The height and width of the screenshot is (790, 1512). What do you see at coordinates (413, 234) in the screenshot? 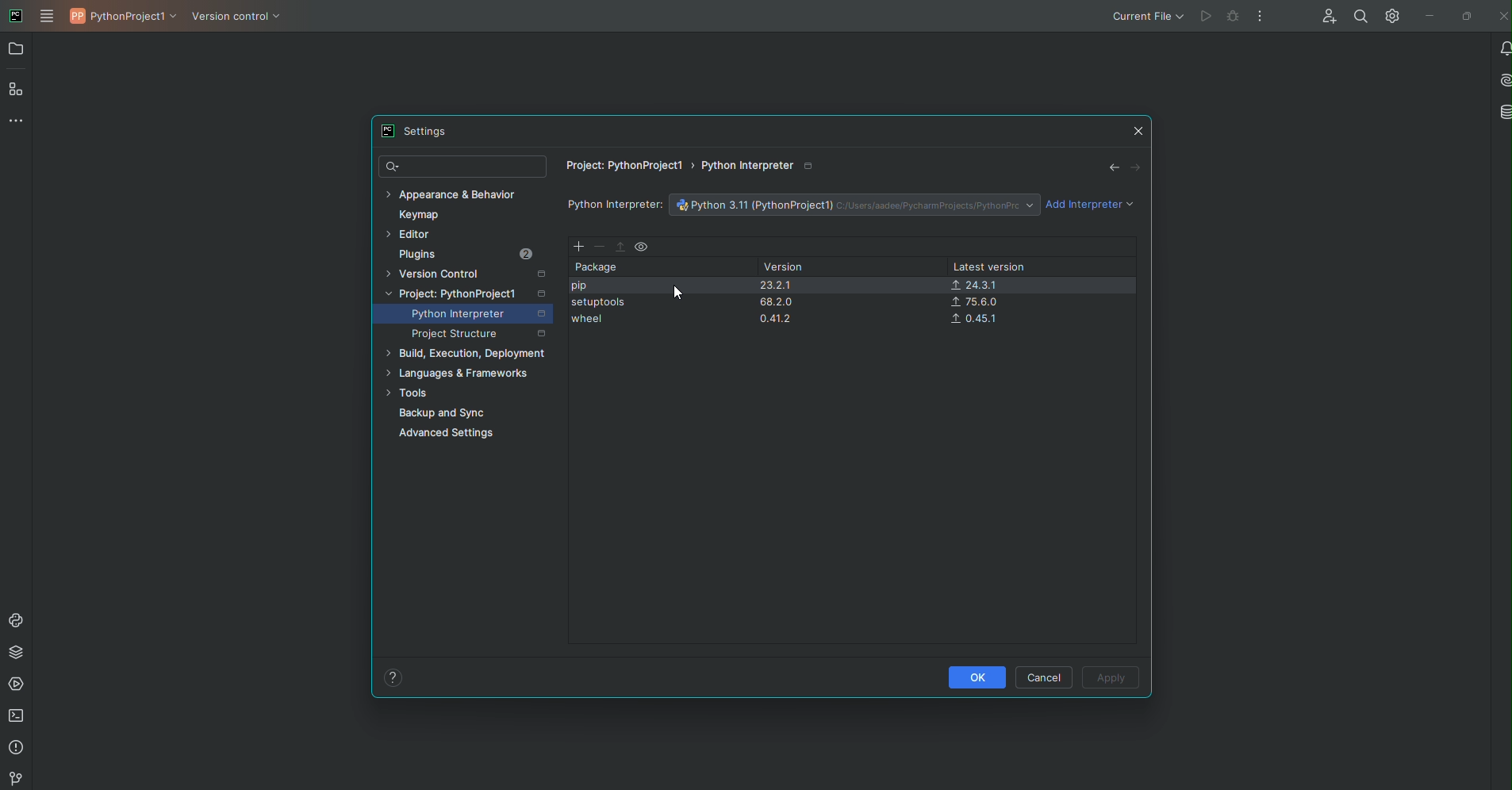
I see `Editor` at bounding box center [413, 234].